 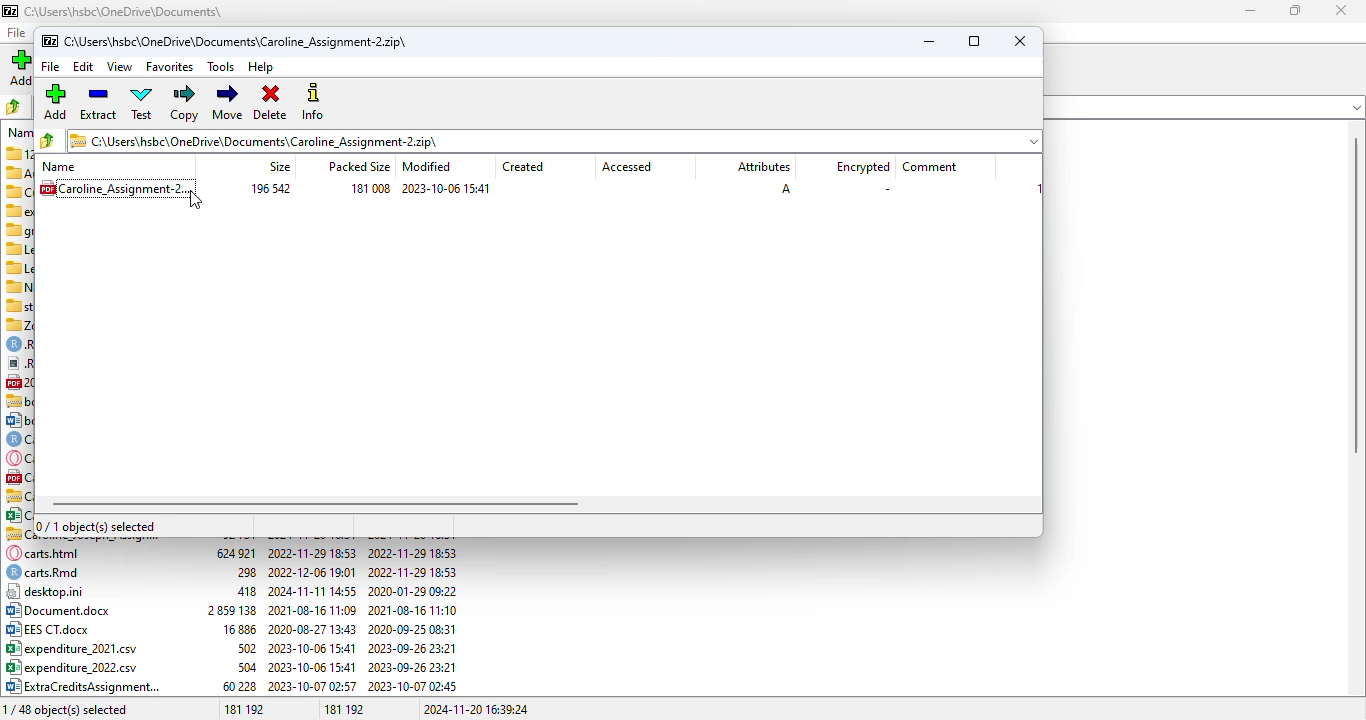 I want to click on 1/48 object(s) selected, so click(x=66, y=709).